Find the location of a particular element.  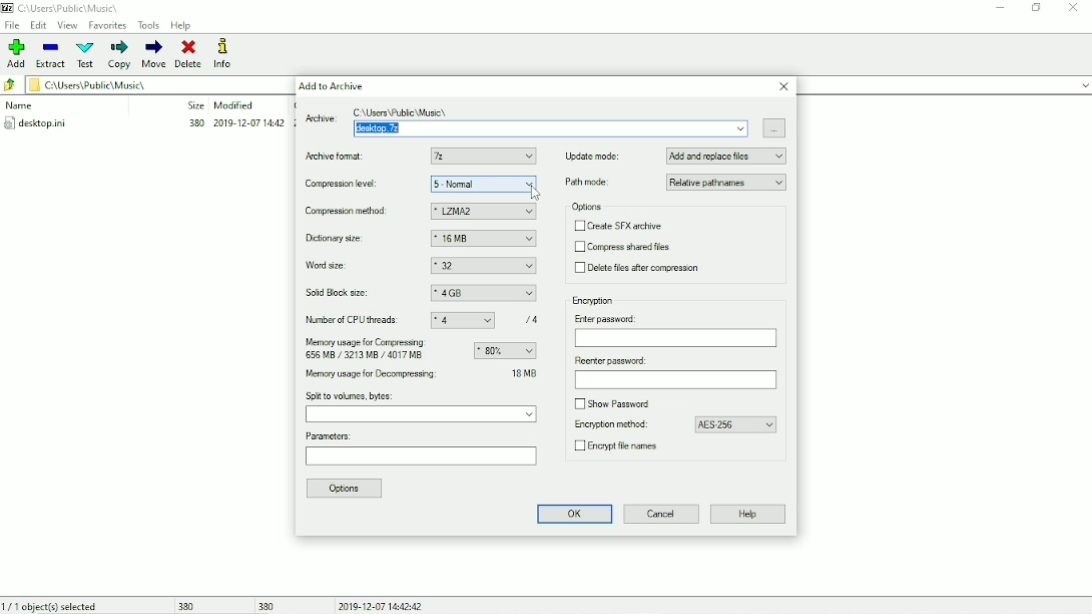

Tools is located at coordinates (149, 26).